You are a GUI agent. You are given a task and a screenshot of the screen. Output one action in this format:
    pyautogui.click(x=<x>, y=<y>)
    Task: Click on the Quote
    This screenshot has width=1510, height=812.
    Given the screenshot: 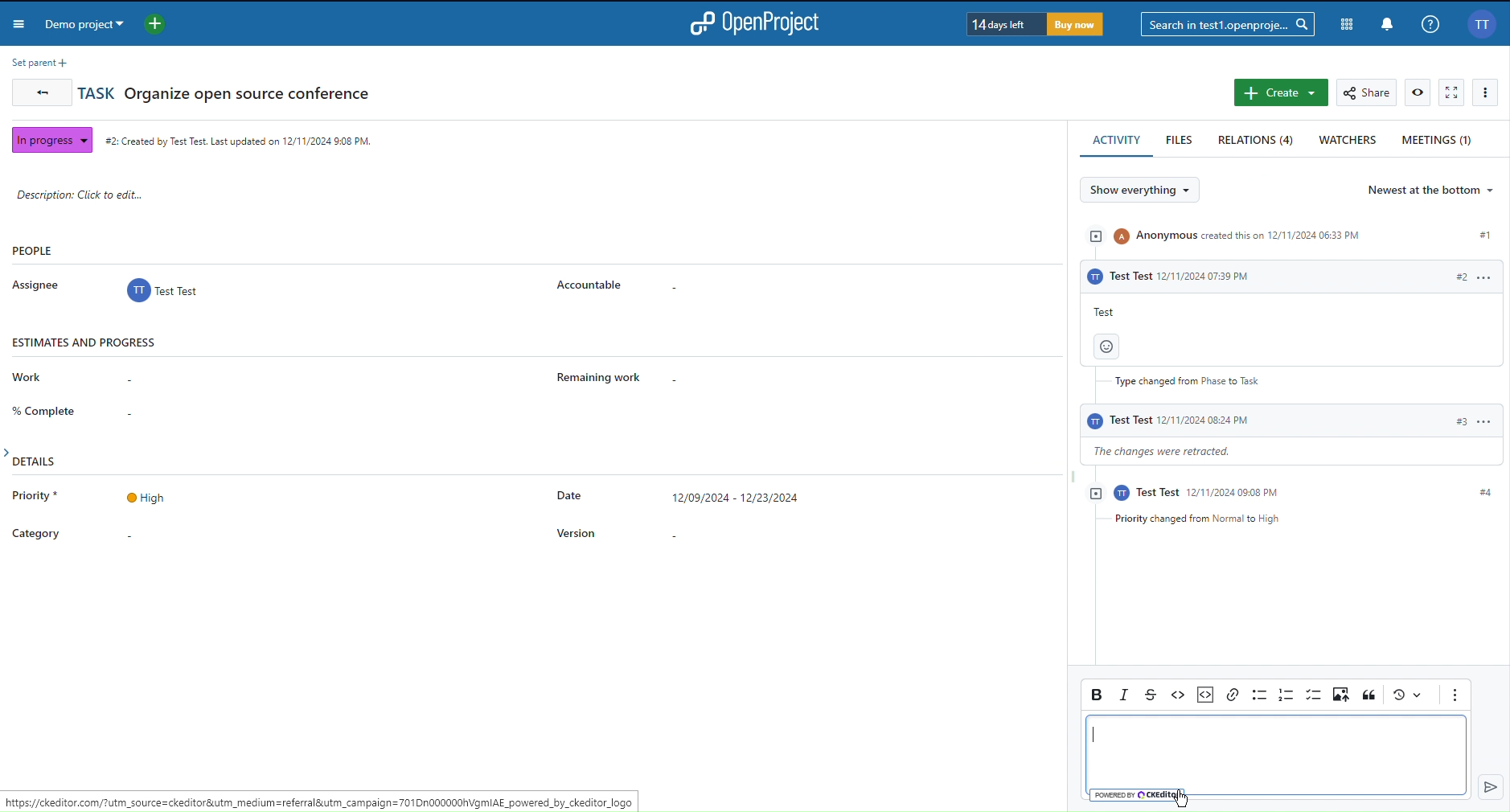 What is the action you would take?
    pyautogui.click(x=1369, y=695)
    